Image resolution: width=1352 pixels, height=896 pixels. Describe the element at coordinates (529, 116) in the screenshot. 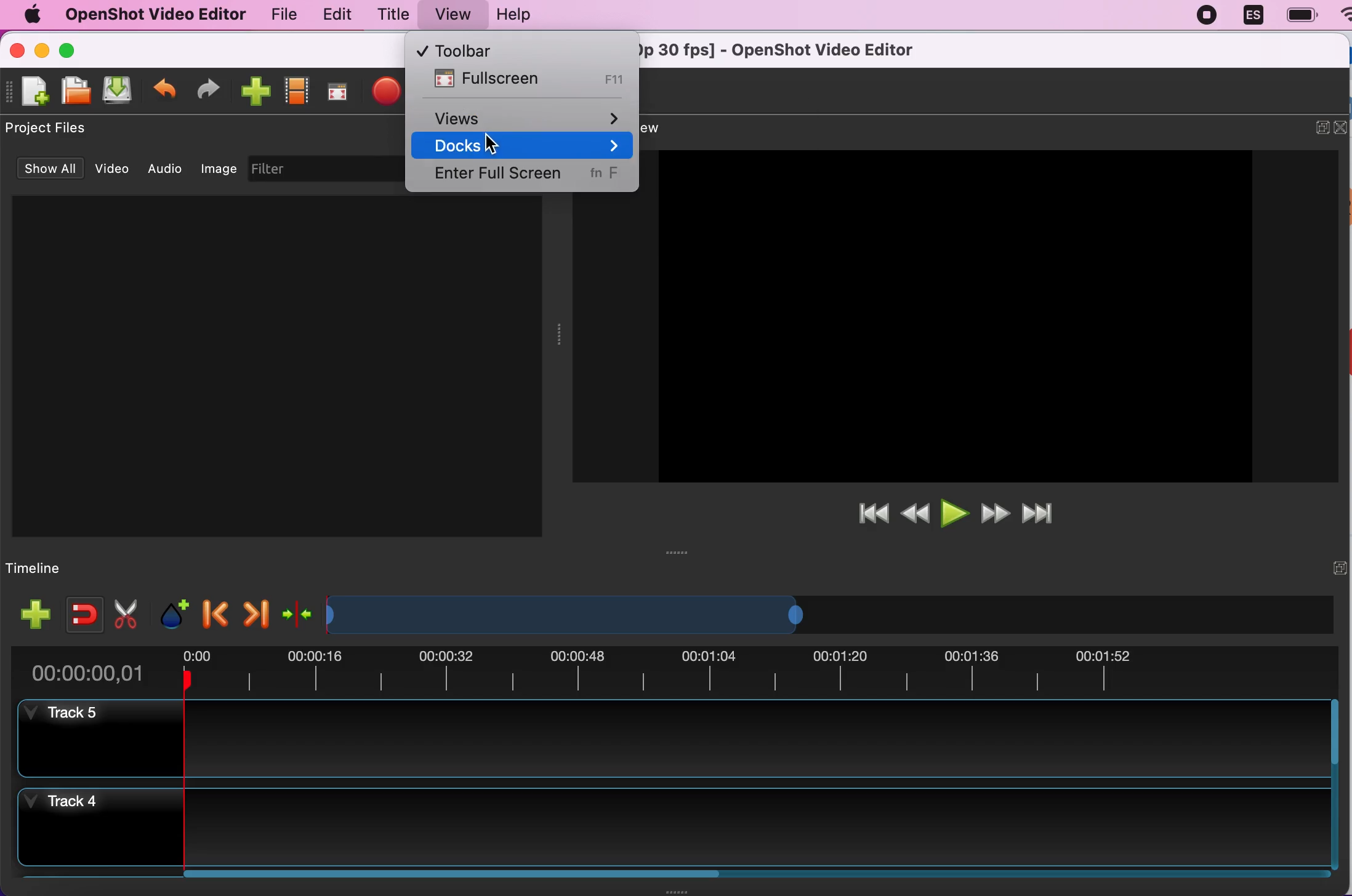

I see `views` at that location.